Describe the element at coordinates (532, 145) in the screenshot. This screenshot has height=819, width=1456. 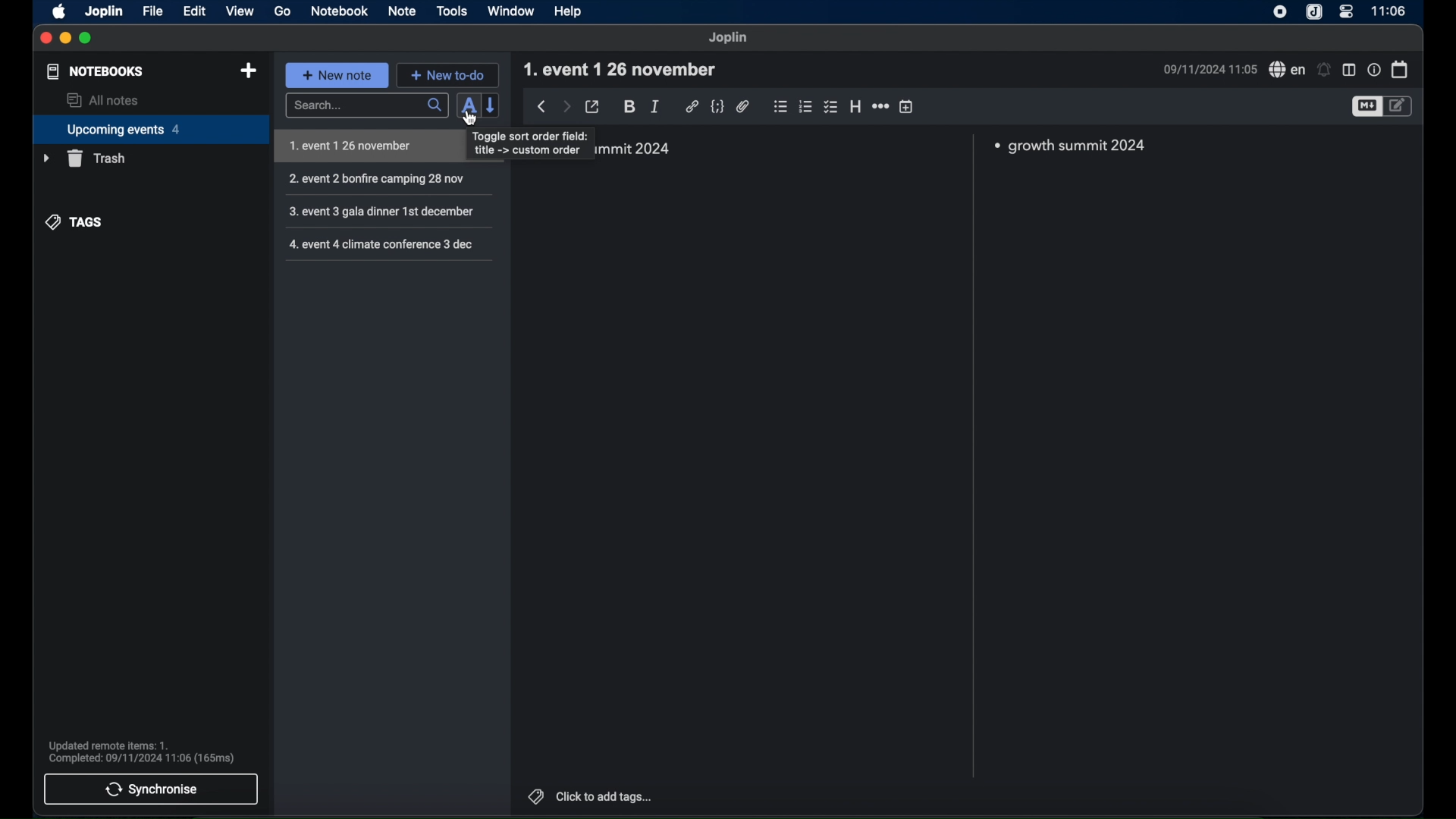
I see `Toggle sort order field: title -> custom order` at that location.